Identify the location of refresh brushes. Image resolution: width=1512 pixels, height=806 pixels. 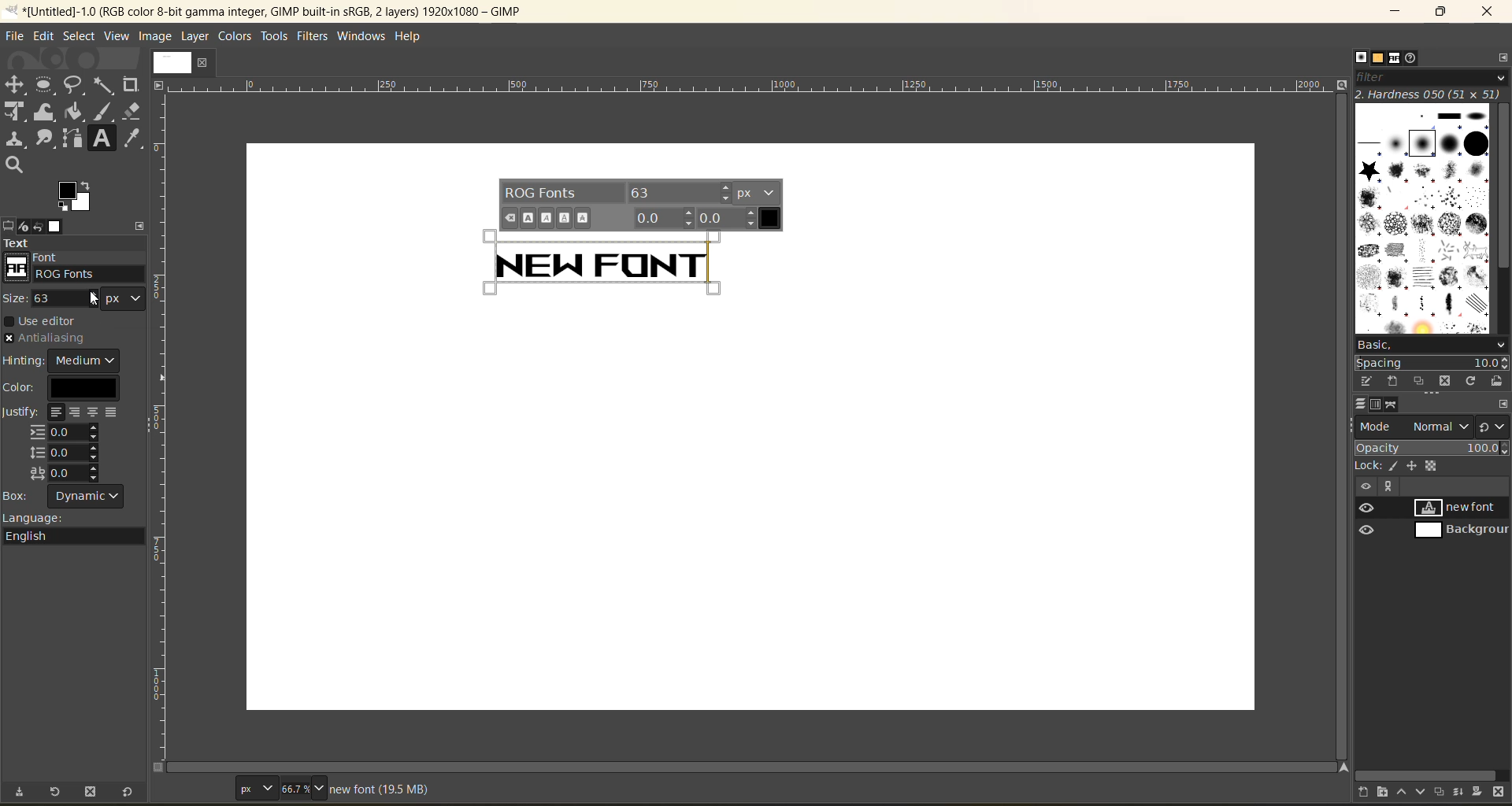
(1469, 382).